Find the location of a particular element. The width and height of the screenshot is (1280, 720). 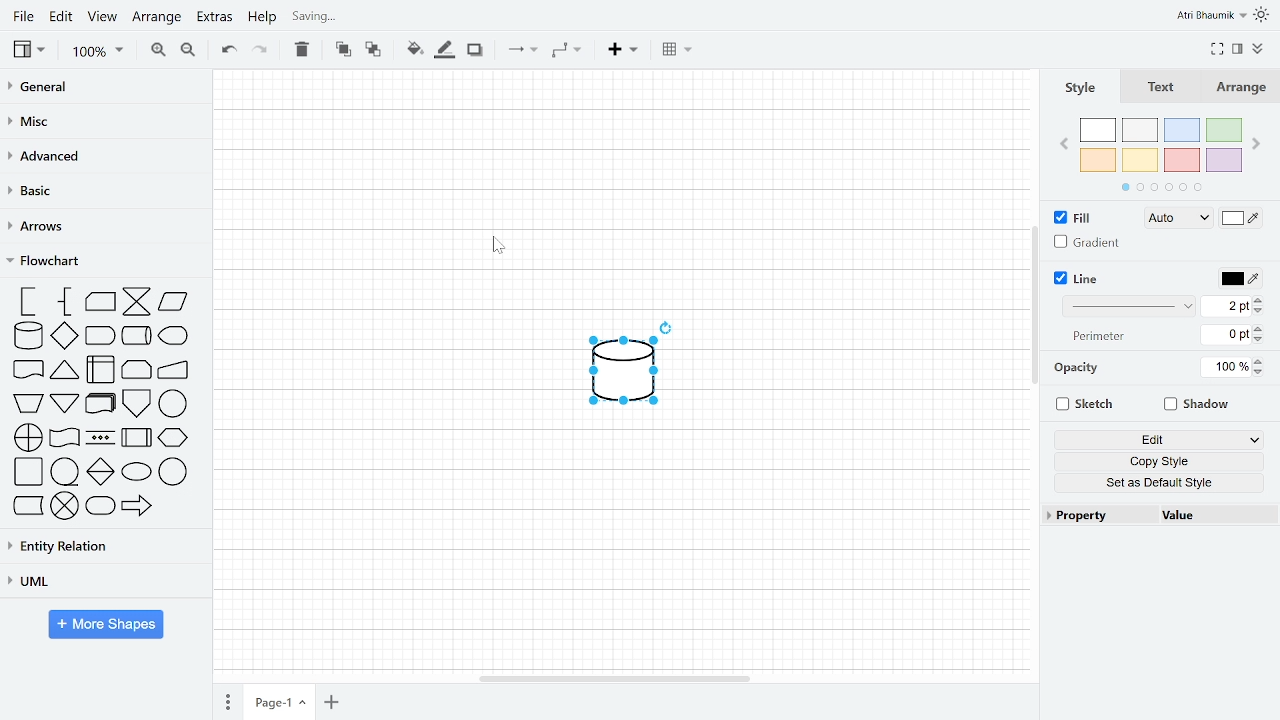

display is located at coordinates (173, 337).